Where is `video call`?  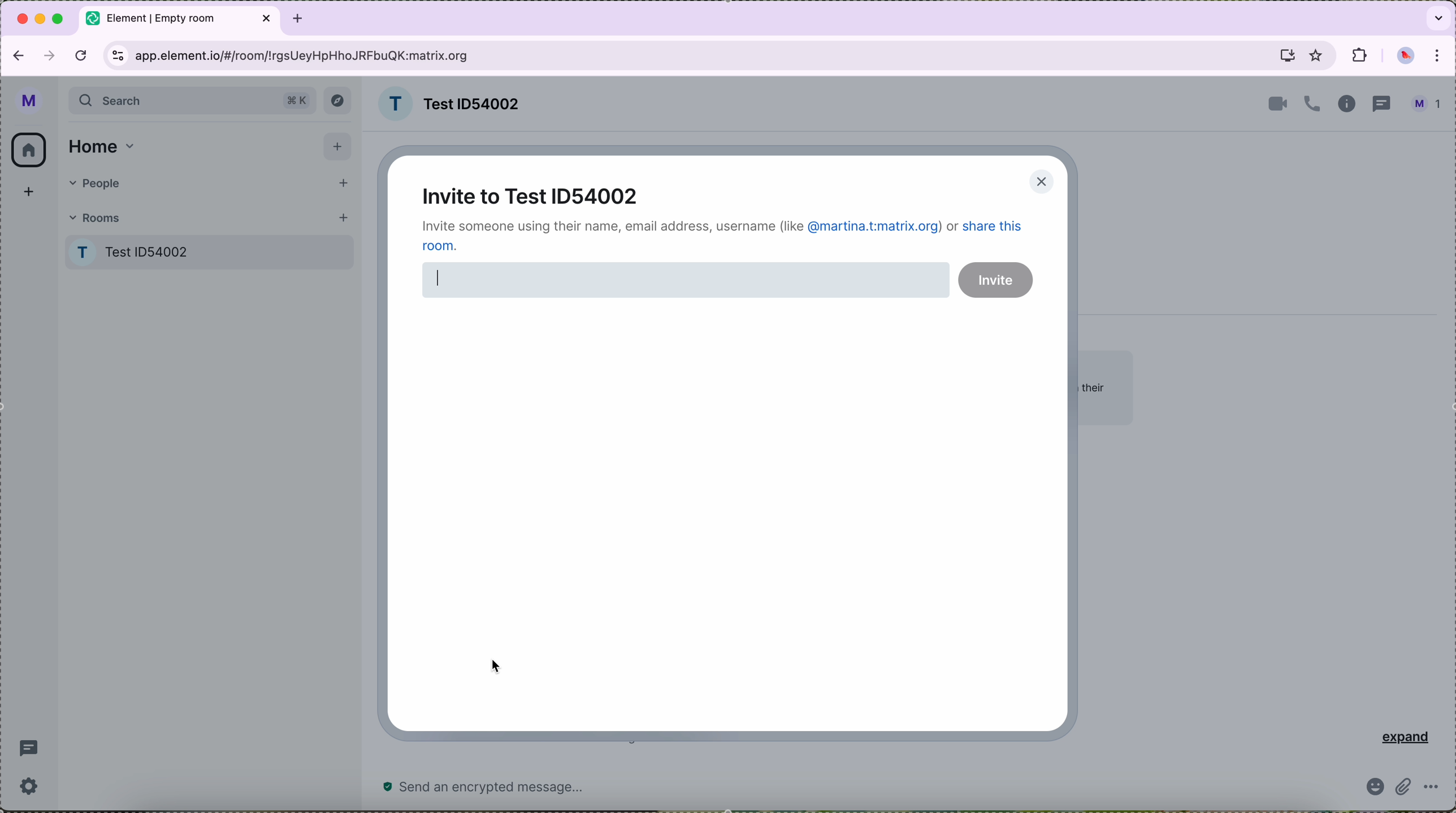 video call is located at coordinates (1275, 103).